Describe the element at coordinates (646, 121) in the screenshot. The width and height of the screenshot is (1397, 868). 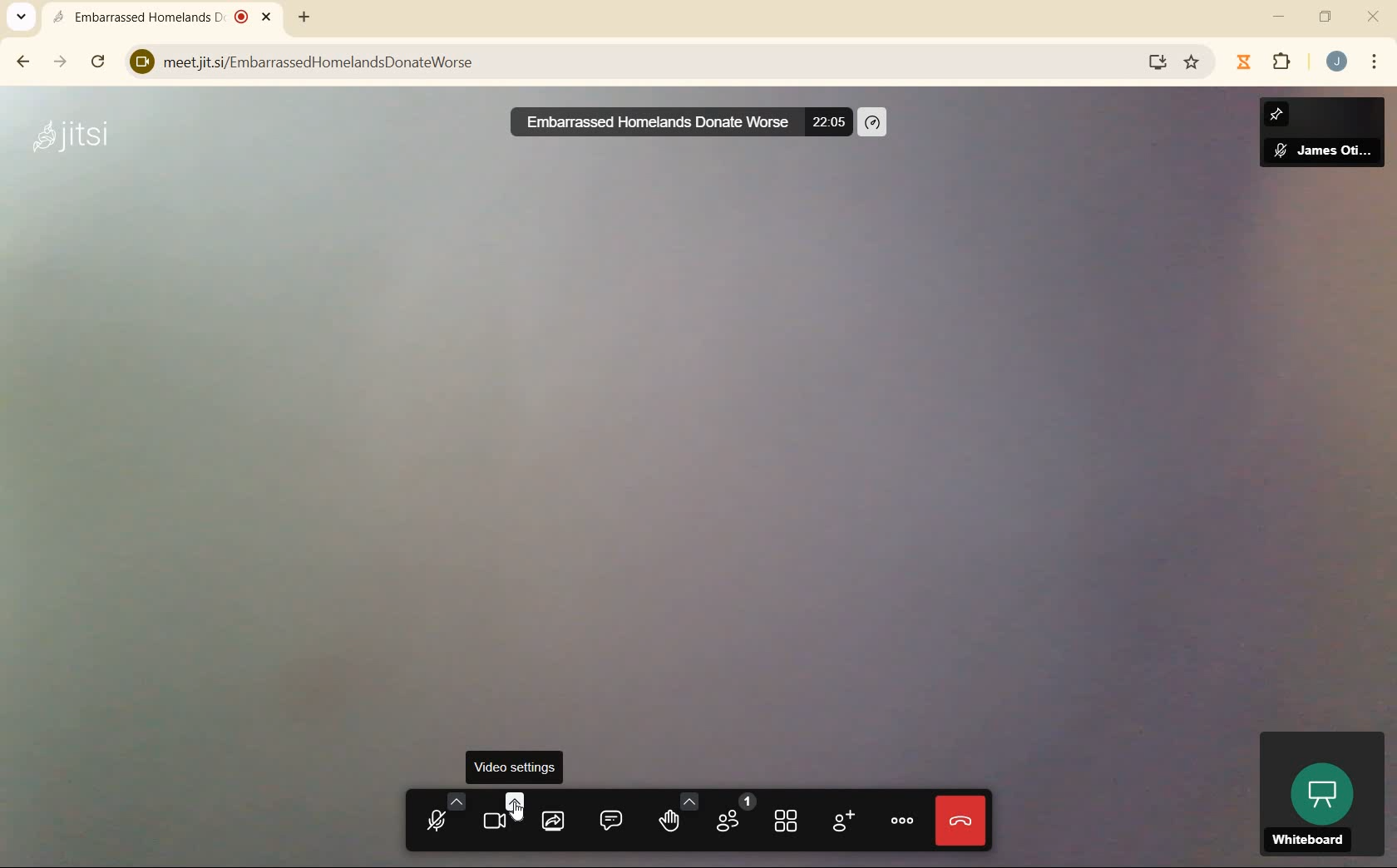
I see `N Embarrassed Homelands Donate Worse` at that location.